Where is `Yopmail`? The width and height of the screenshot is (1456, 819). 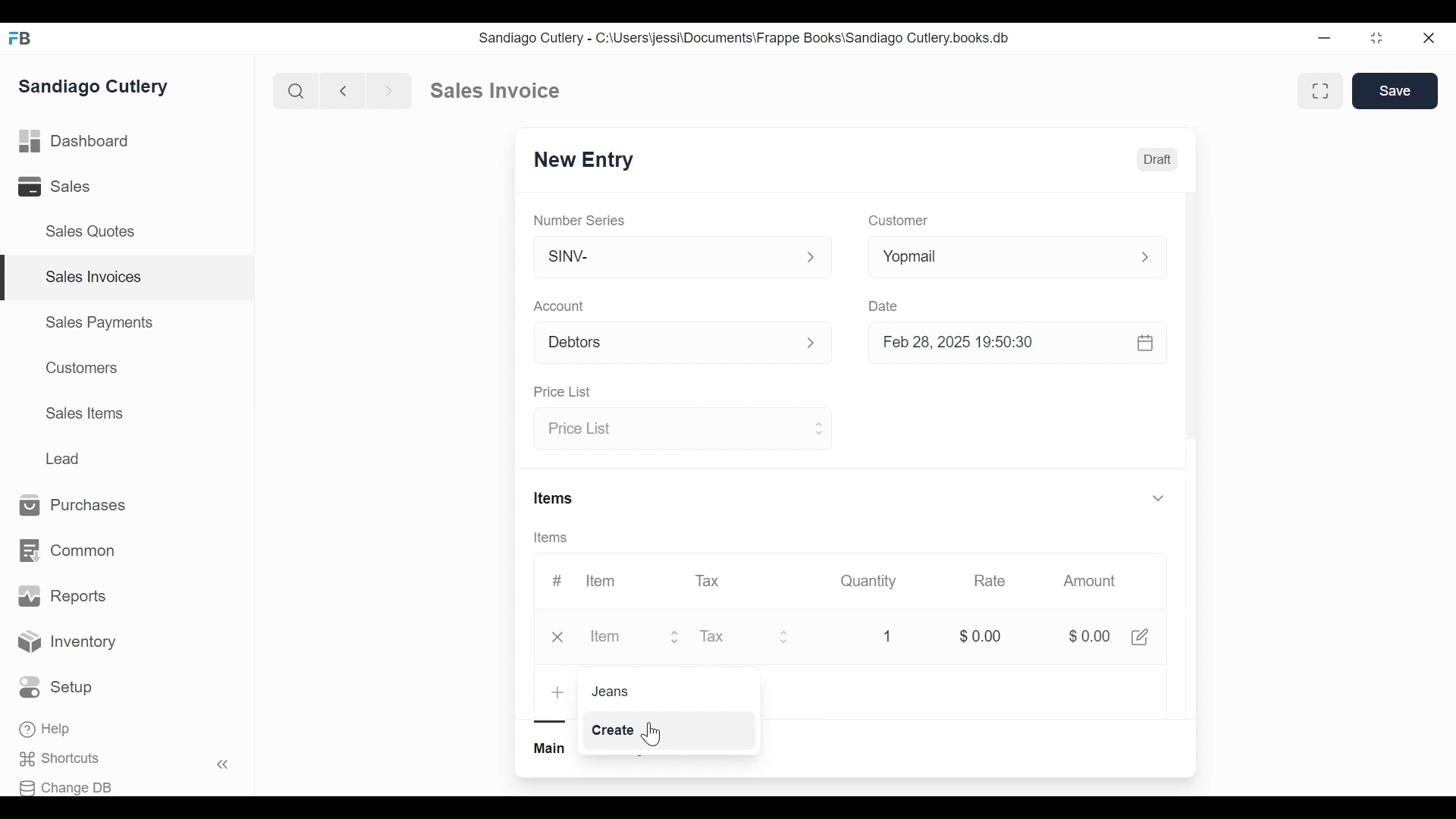
Yopmail is located at coordinates (1018, 256).